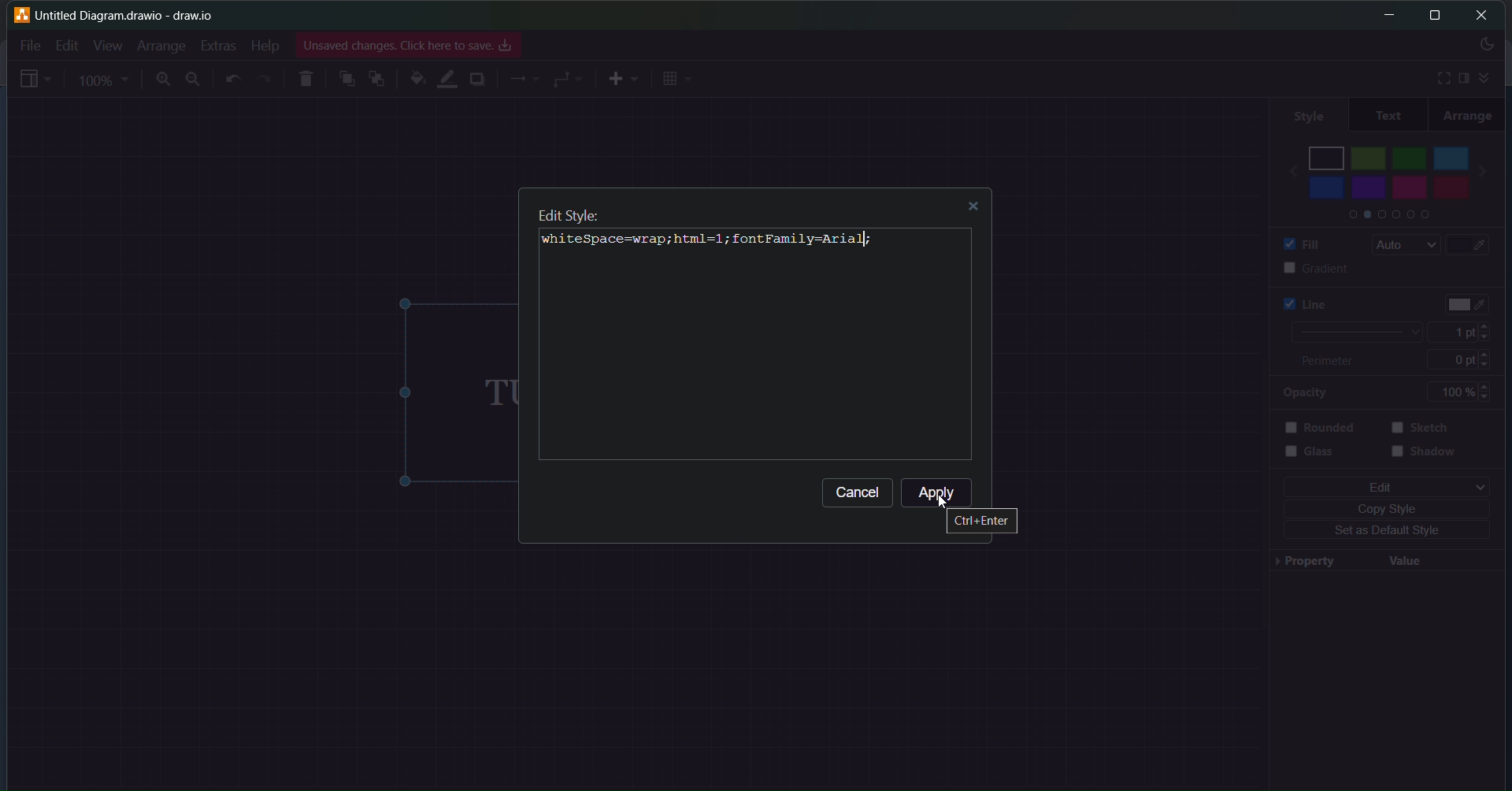 This screenshot has width=1512, height=791. What do you see at coordinates (447, 77) in the screenshot?
I see `line color` at bounding box center [447, 77].